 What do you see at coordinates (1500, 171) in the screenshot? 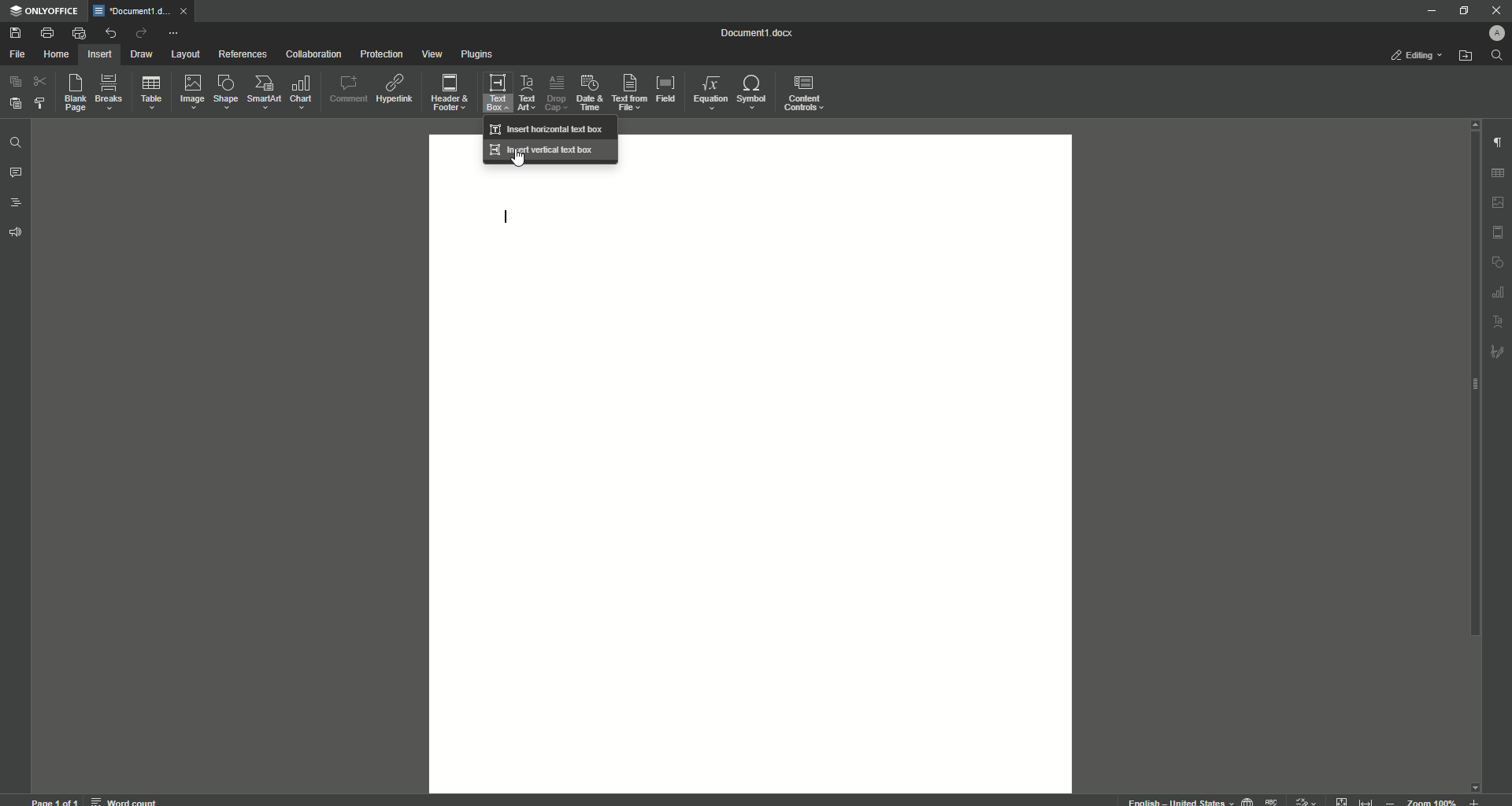
I see `table` at bounding box center [1500, 171].